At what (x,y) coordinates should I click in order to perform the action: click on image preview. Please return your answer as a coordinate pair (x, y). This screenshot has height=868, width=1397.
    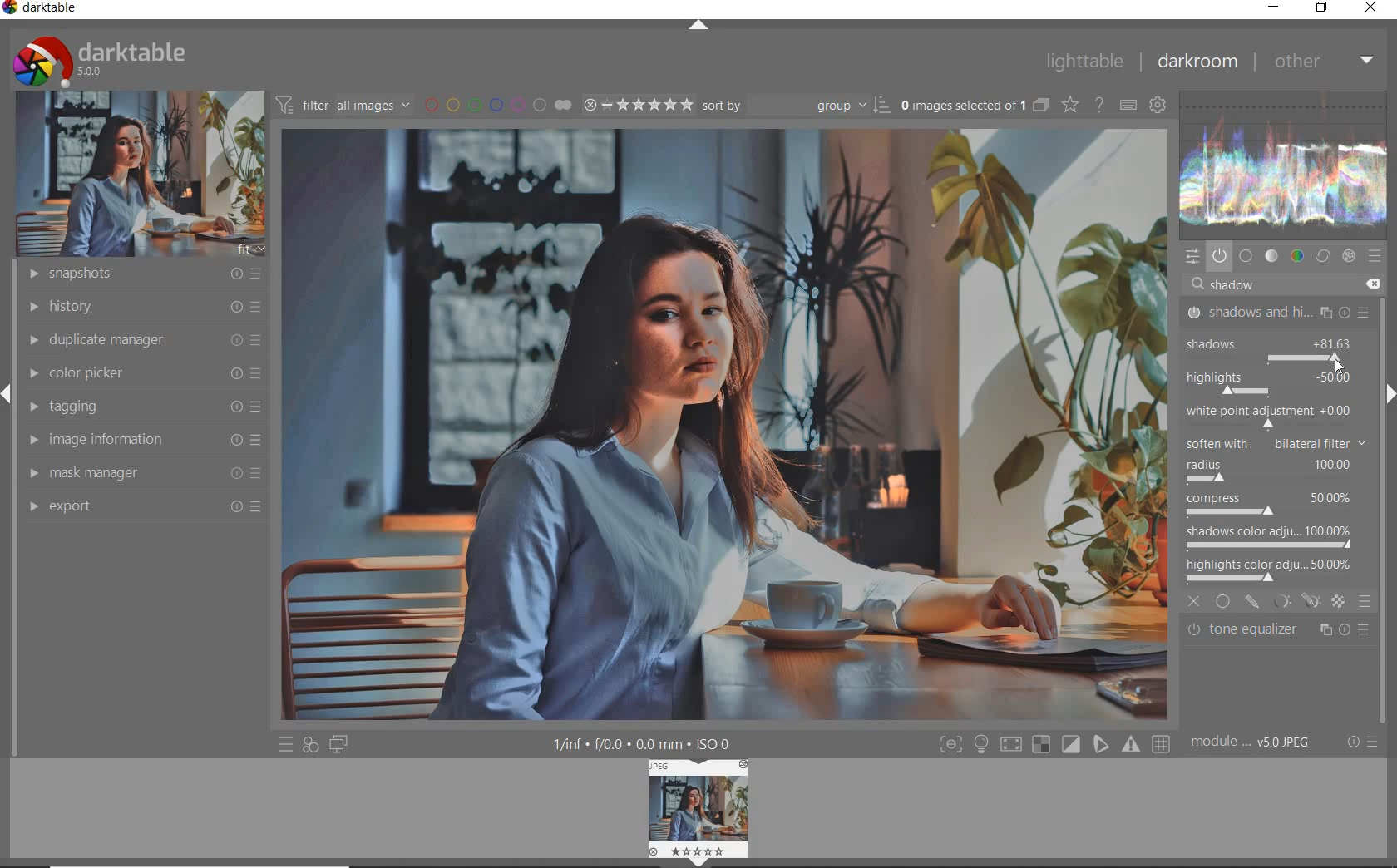
    Looking at the image, I should click on (722, 804).